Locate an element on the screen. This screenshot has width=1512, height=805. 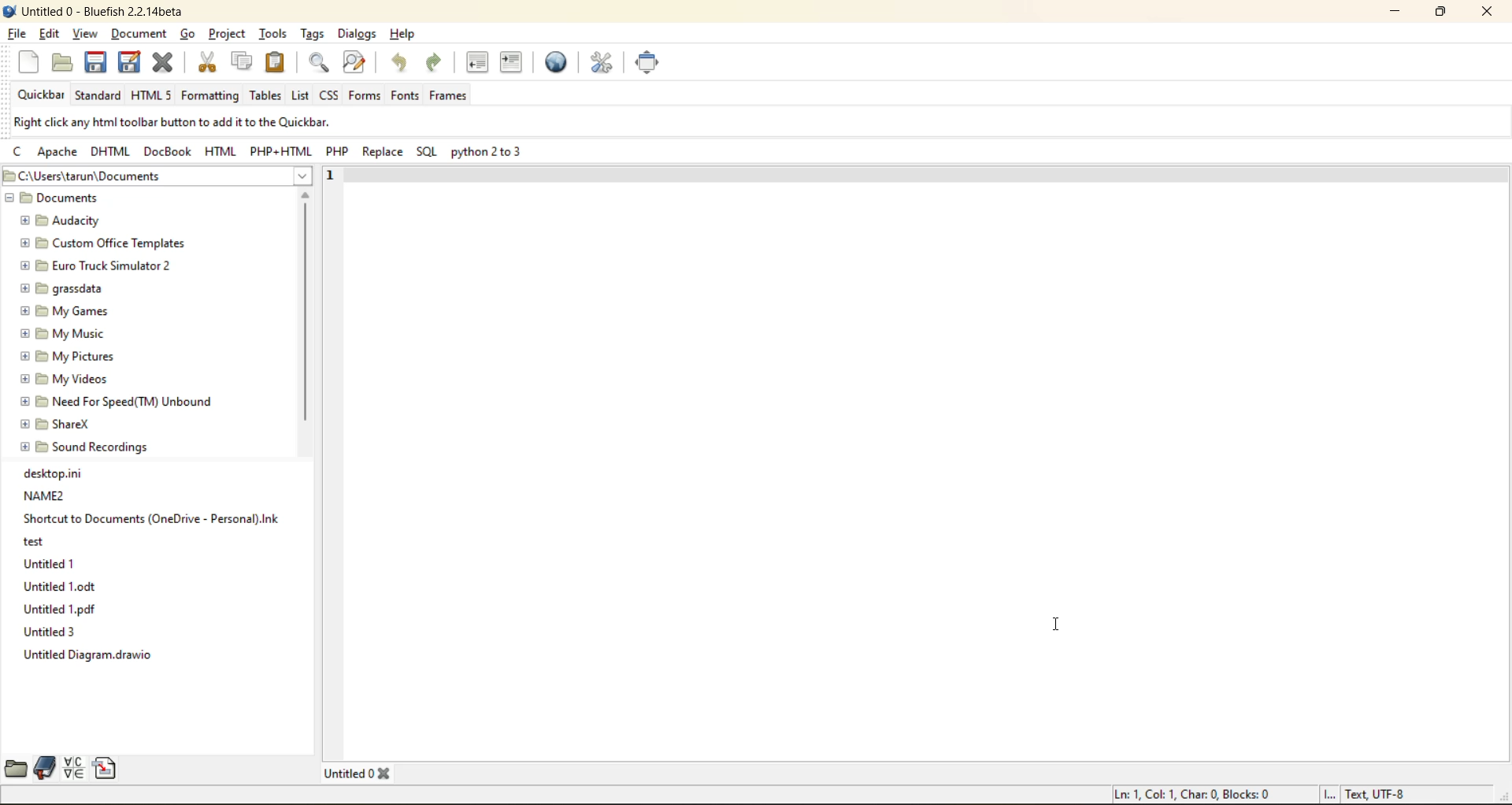
file is located at coordinates (15, 33).